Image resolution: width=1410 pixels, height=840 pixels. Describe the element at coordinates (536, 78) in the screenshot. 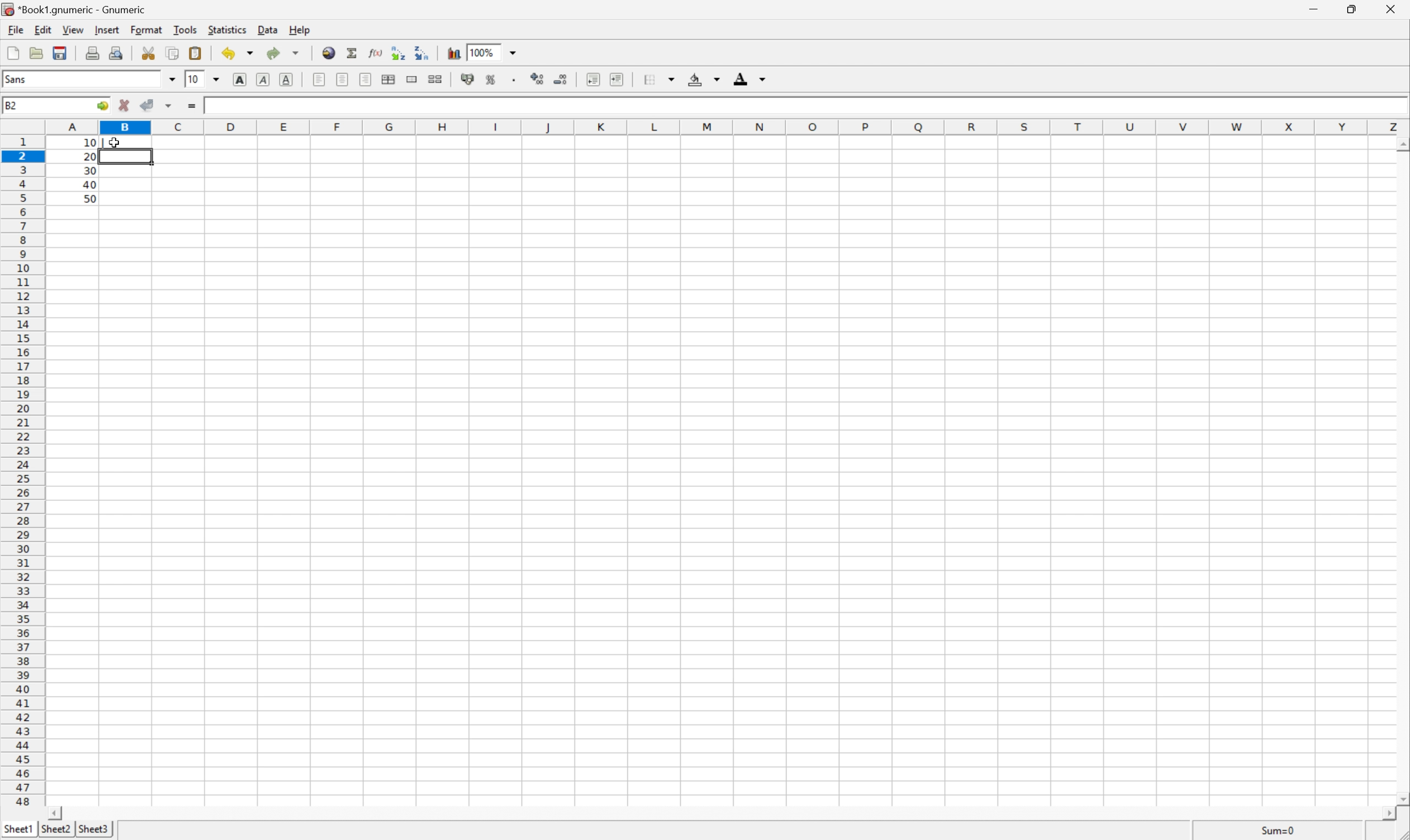

I see `Increase the number of decimals displayed` at that location.